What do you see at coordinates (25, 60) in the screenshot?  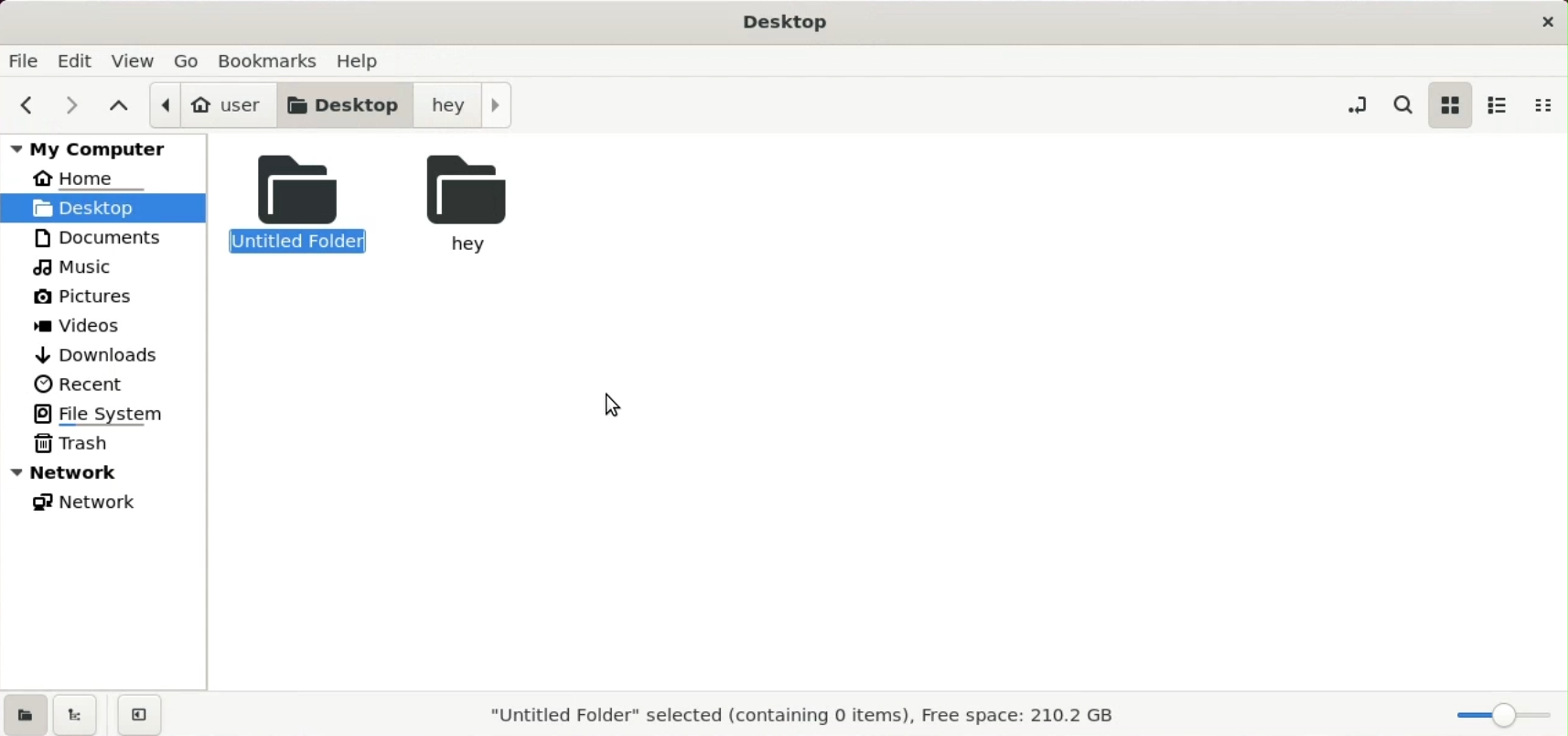 I see `file` at bounding box center [25, 60].